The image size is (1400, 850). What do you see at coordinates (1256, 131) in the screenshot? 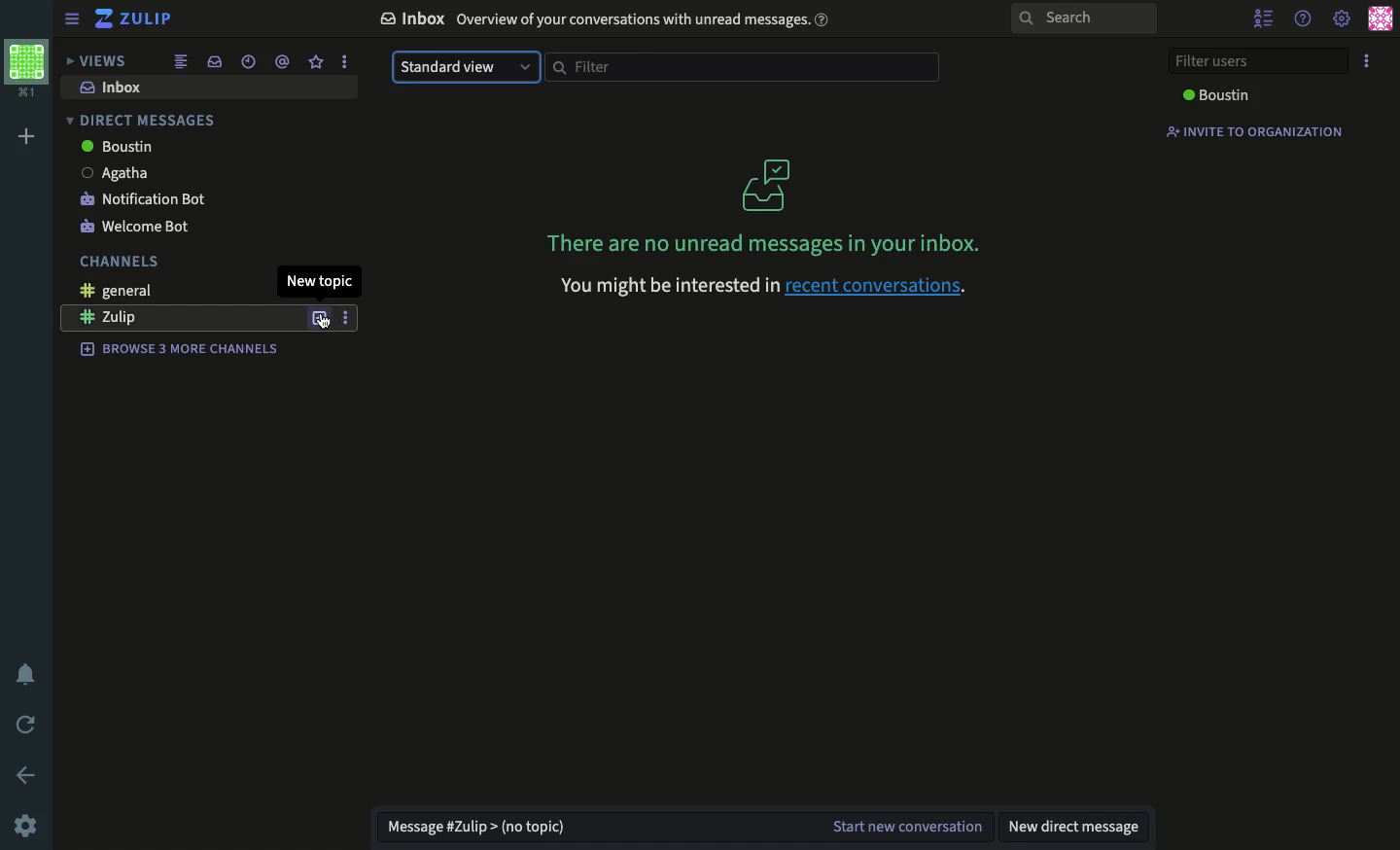
I see `invite to organization ` at bounding box center [1256, 131].